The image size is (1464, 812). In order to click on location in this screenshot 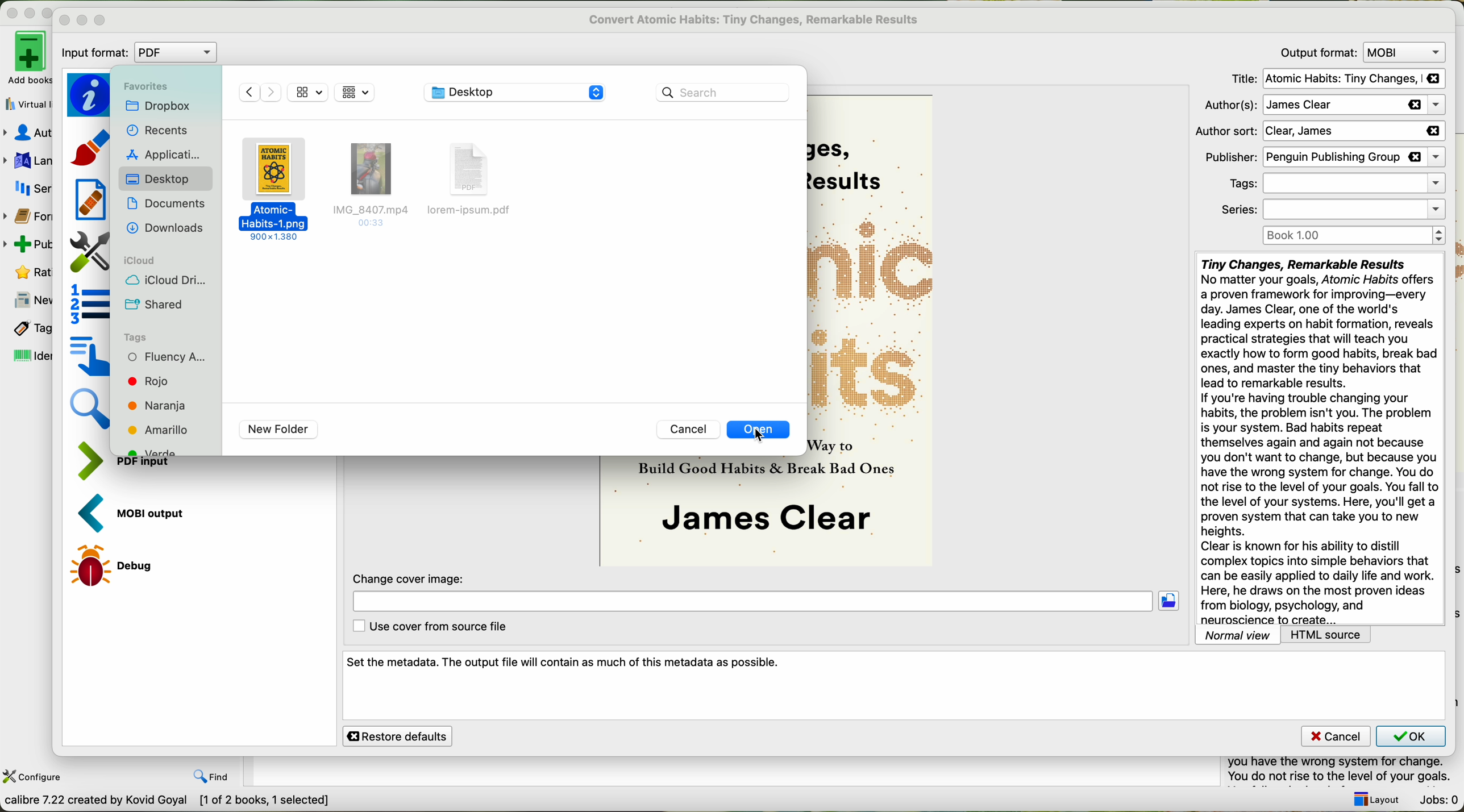, I will do `click(514, 93)`.